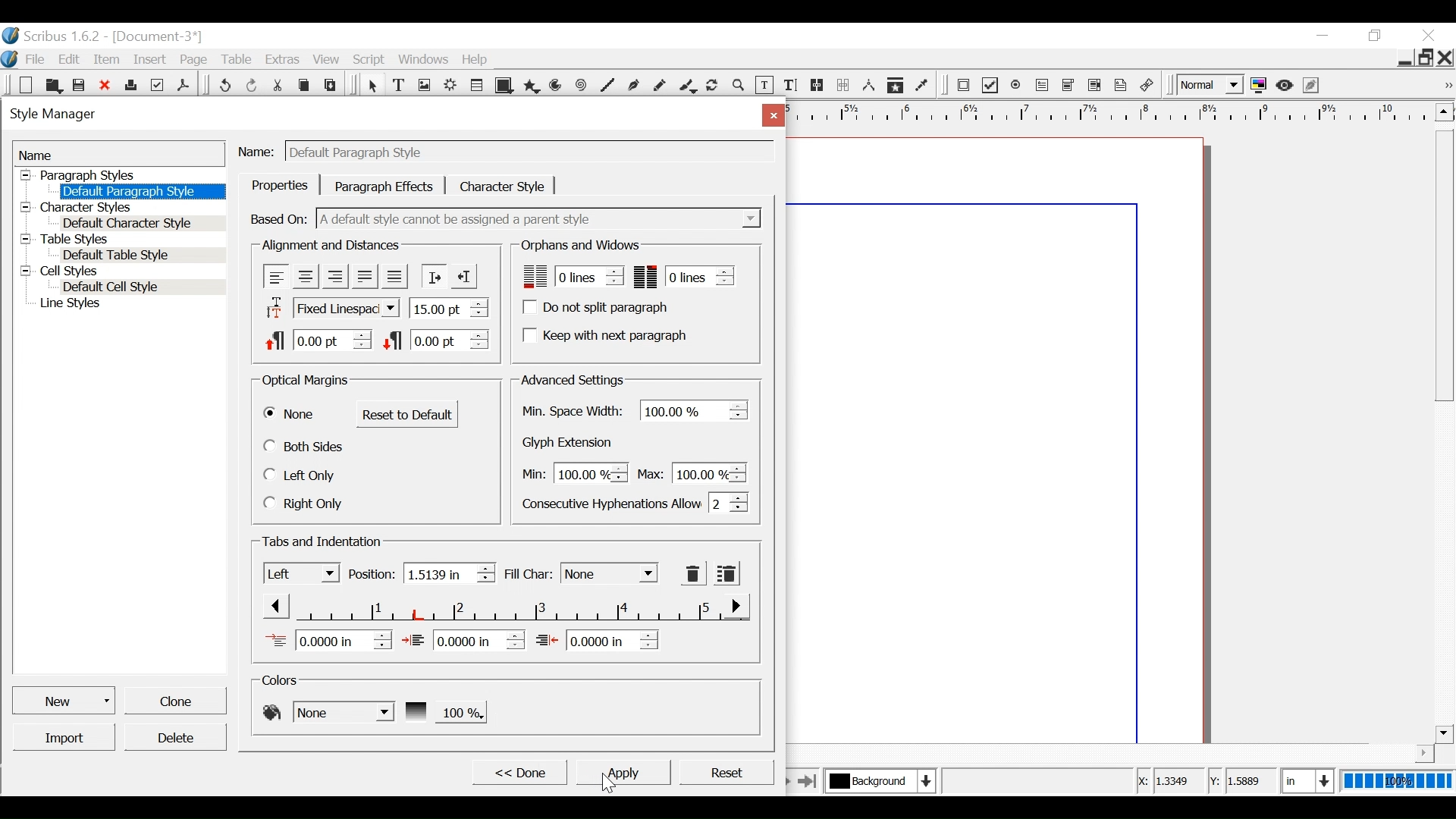 The height and width of the screenshot is (819, 1456). I want to click on Cut, so click(279, 83).